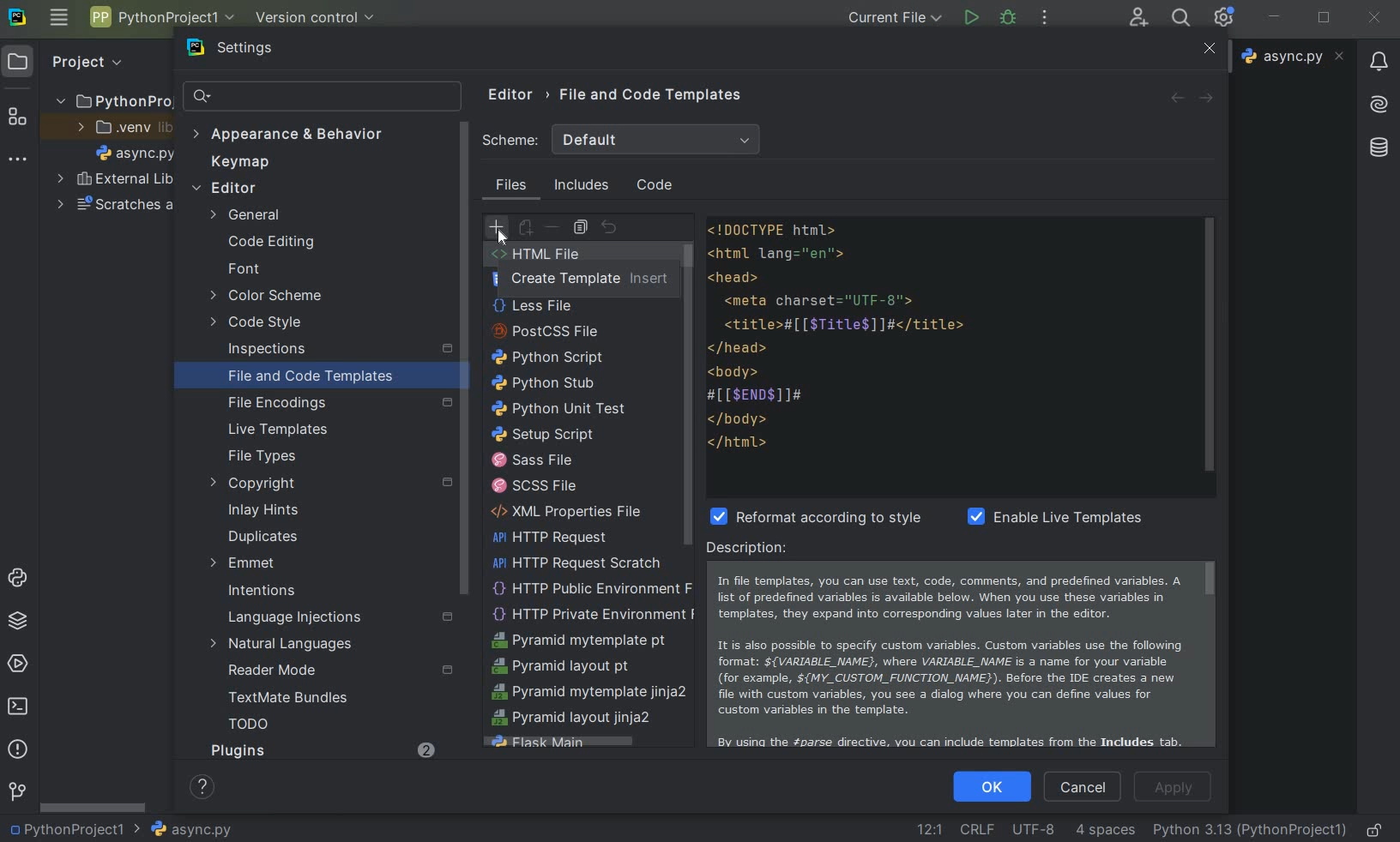  I want to click on go to line, so click(927, 828).